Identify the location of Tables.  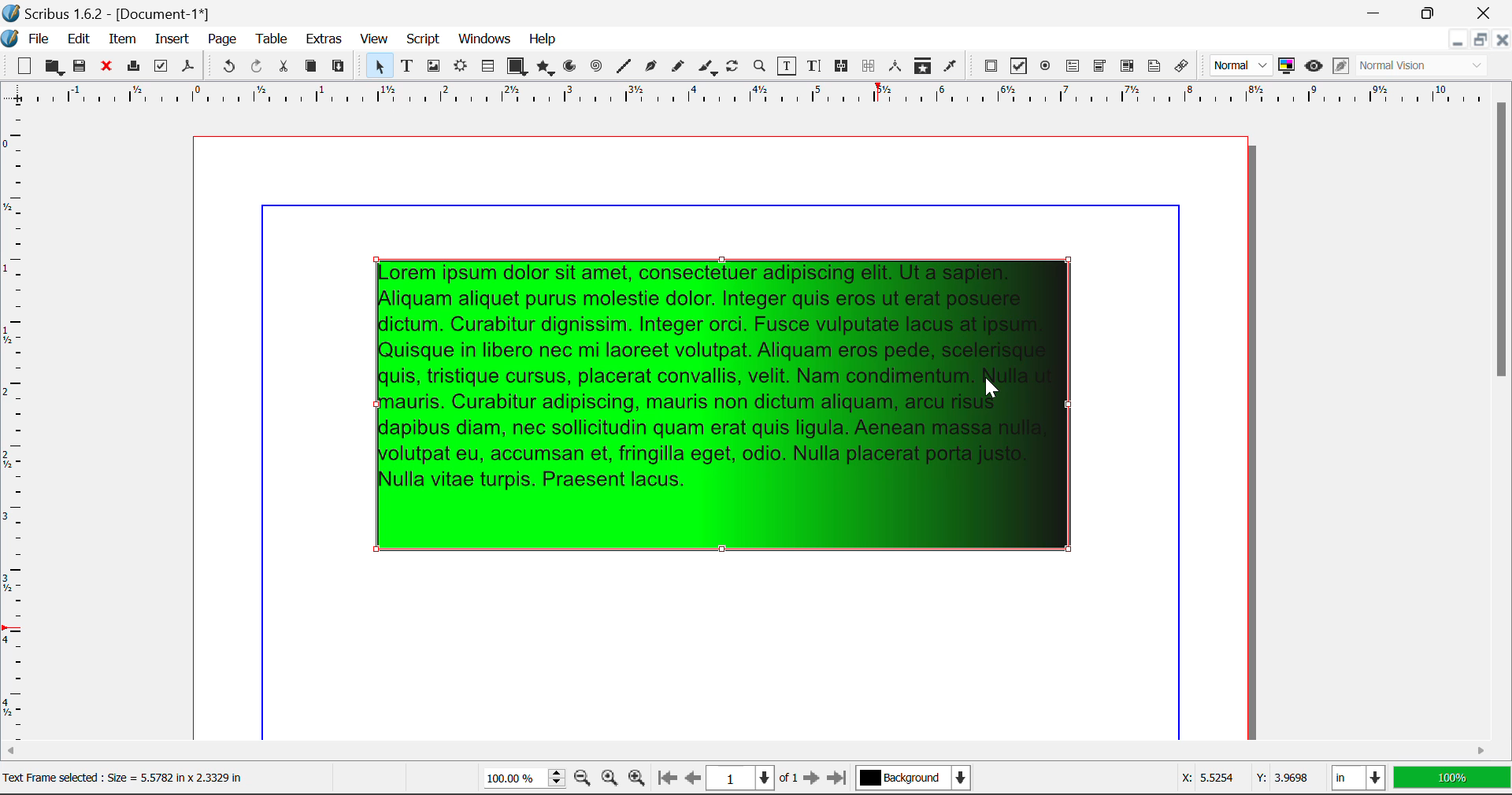
(487, 68).